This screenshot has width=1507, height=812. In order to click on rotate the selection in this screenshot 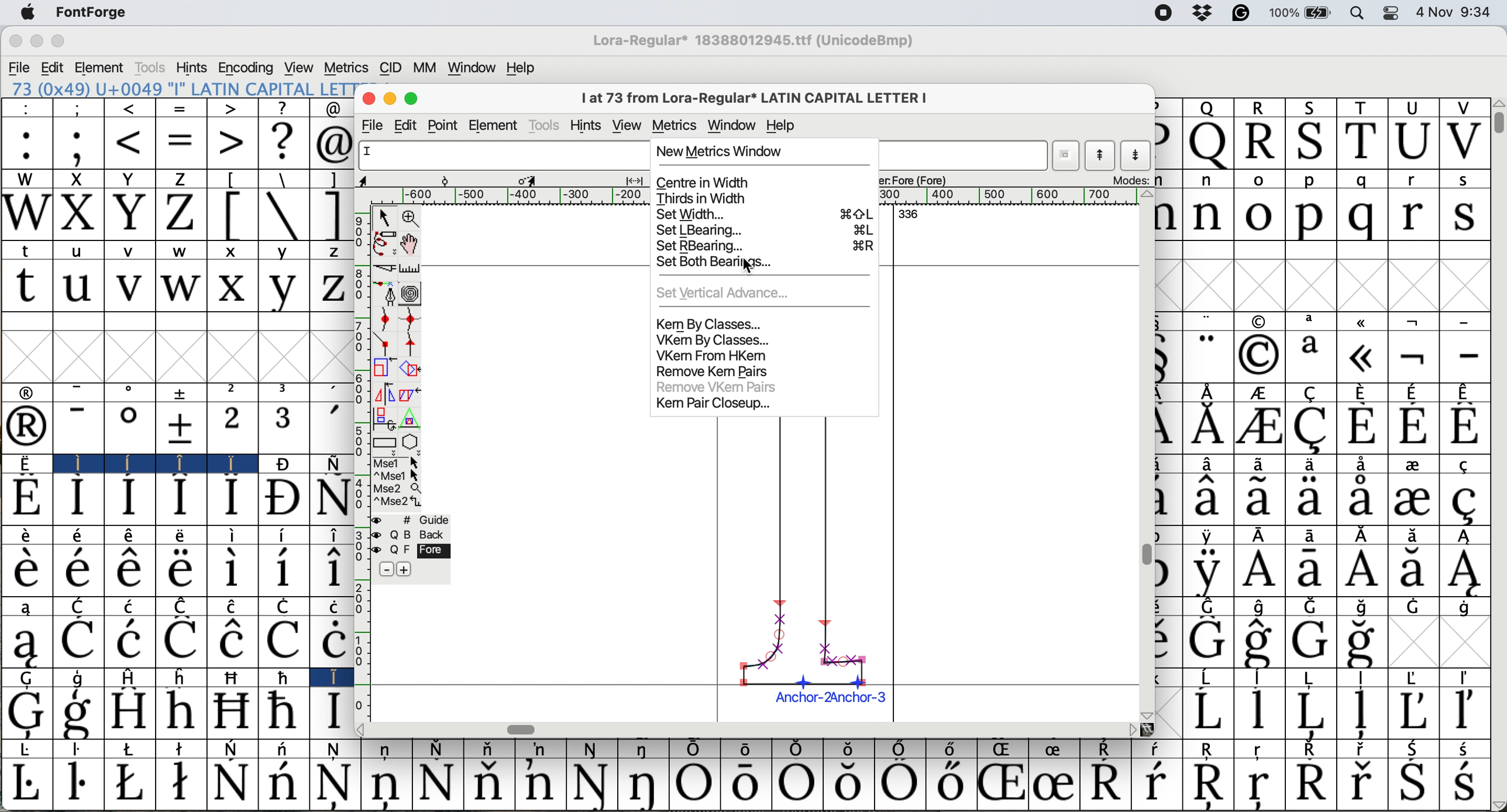, I will do `click(410, 369)`.